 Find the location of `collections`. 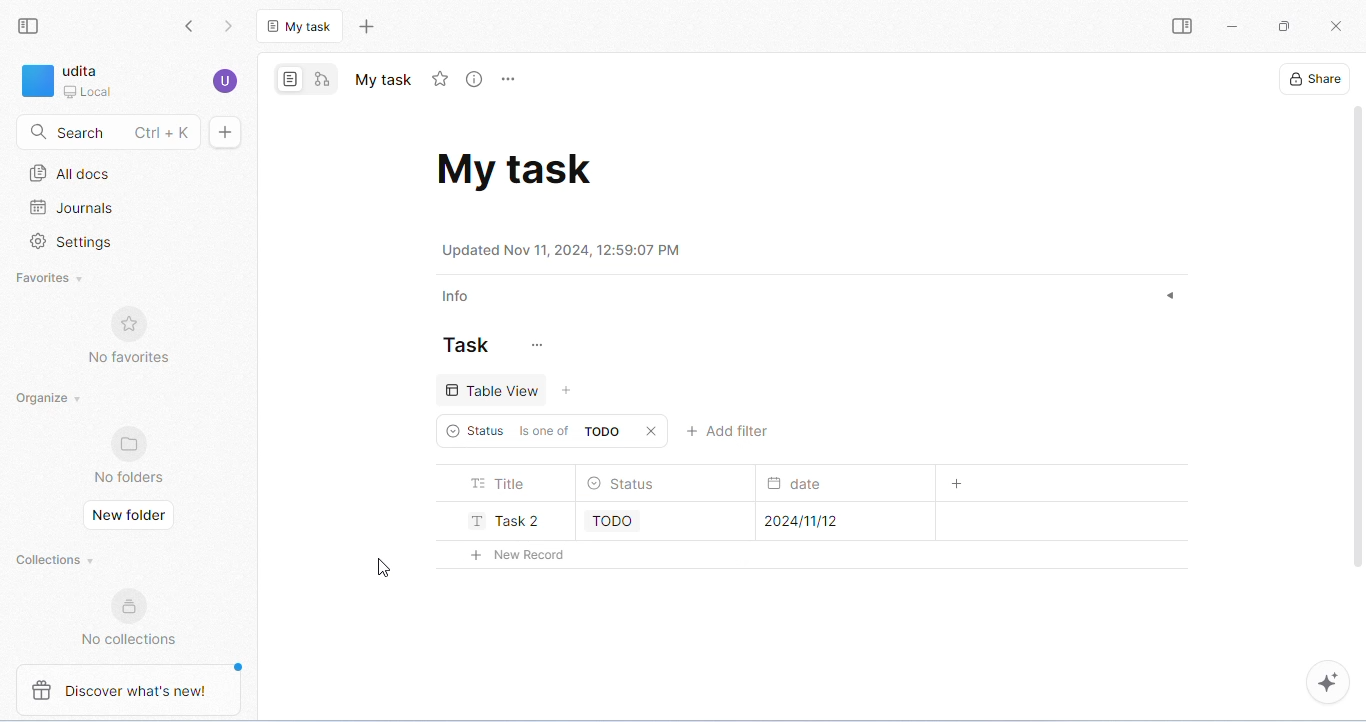

collections is located at coordinates (55, 560).